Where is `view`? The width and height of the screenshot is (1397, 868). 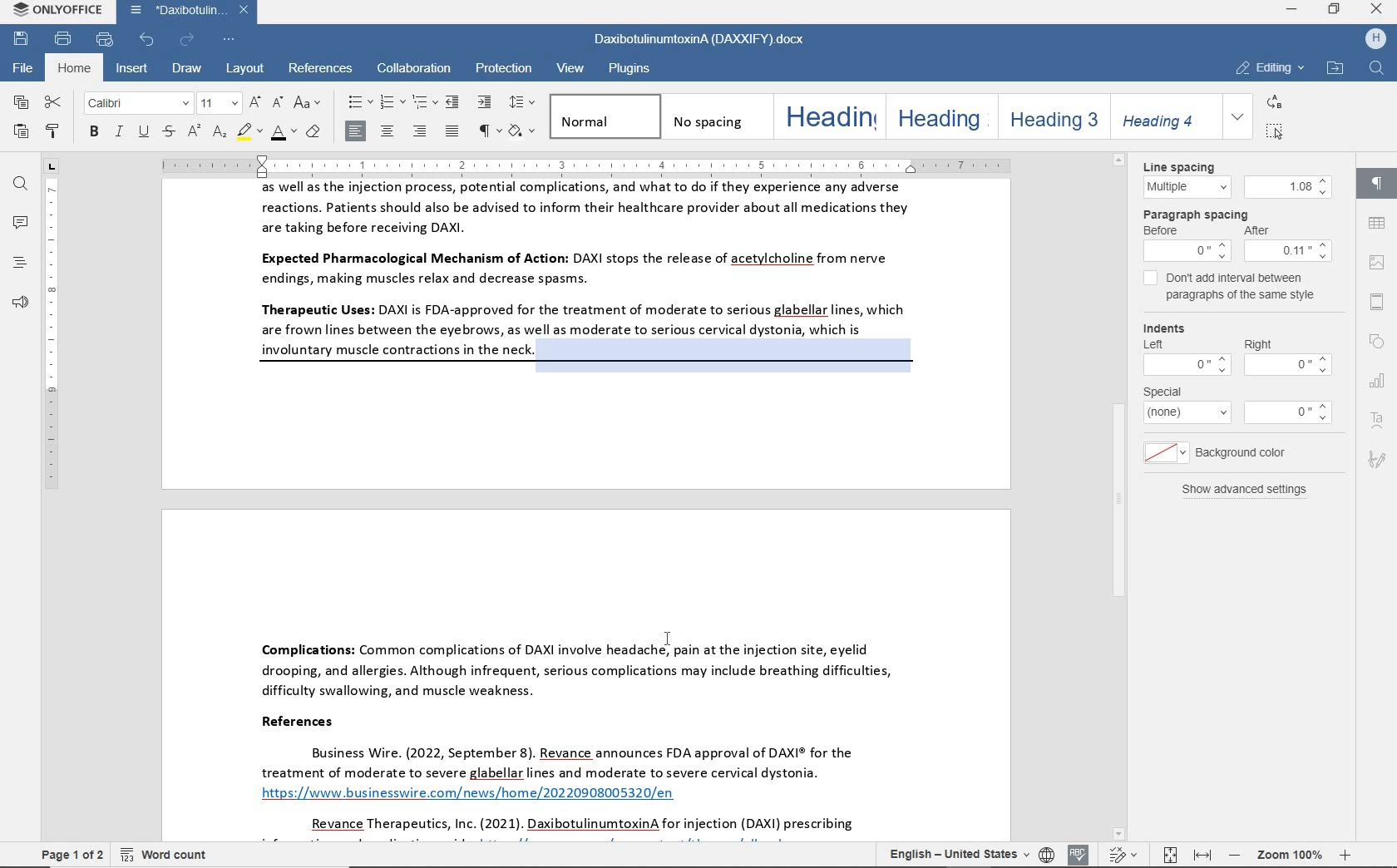
view is located at coordinates (572, 70).